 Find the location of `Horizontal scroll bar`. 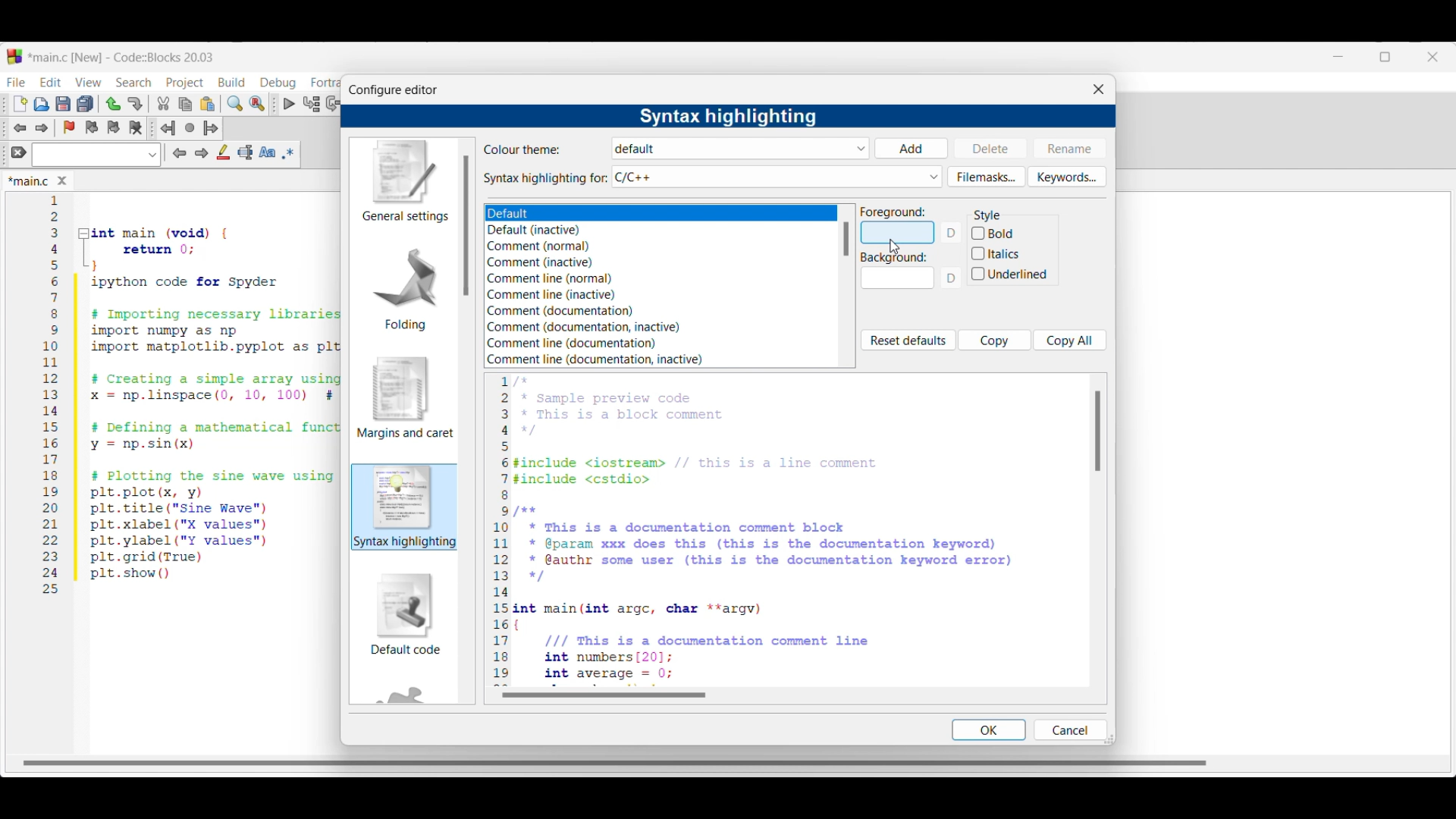

Horizontal scroll bar is located at coordinates (619, 758).